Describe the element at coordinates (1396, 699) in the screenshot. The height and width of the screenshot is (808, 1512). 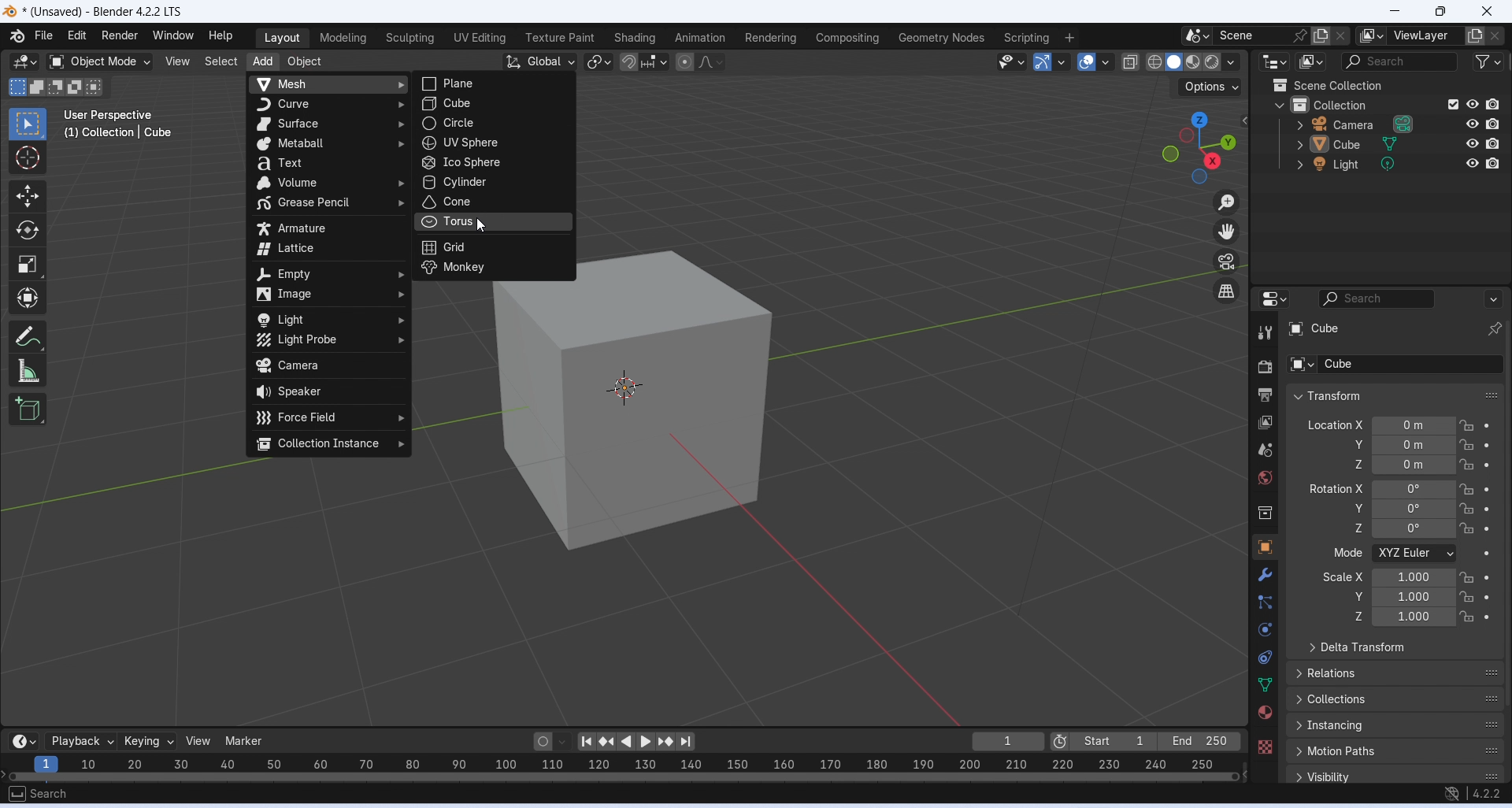
I see `Collections` at that location.